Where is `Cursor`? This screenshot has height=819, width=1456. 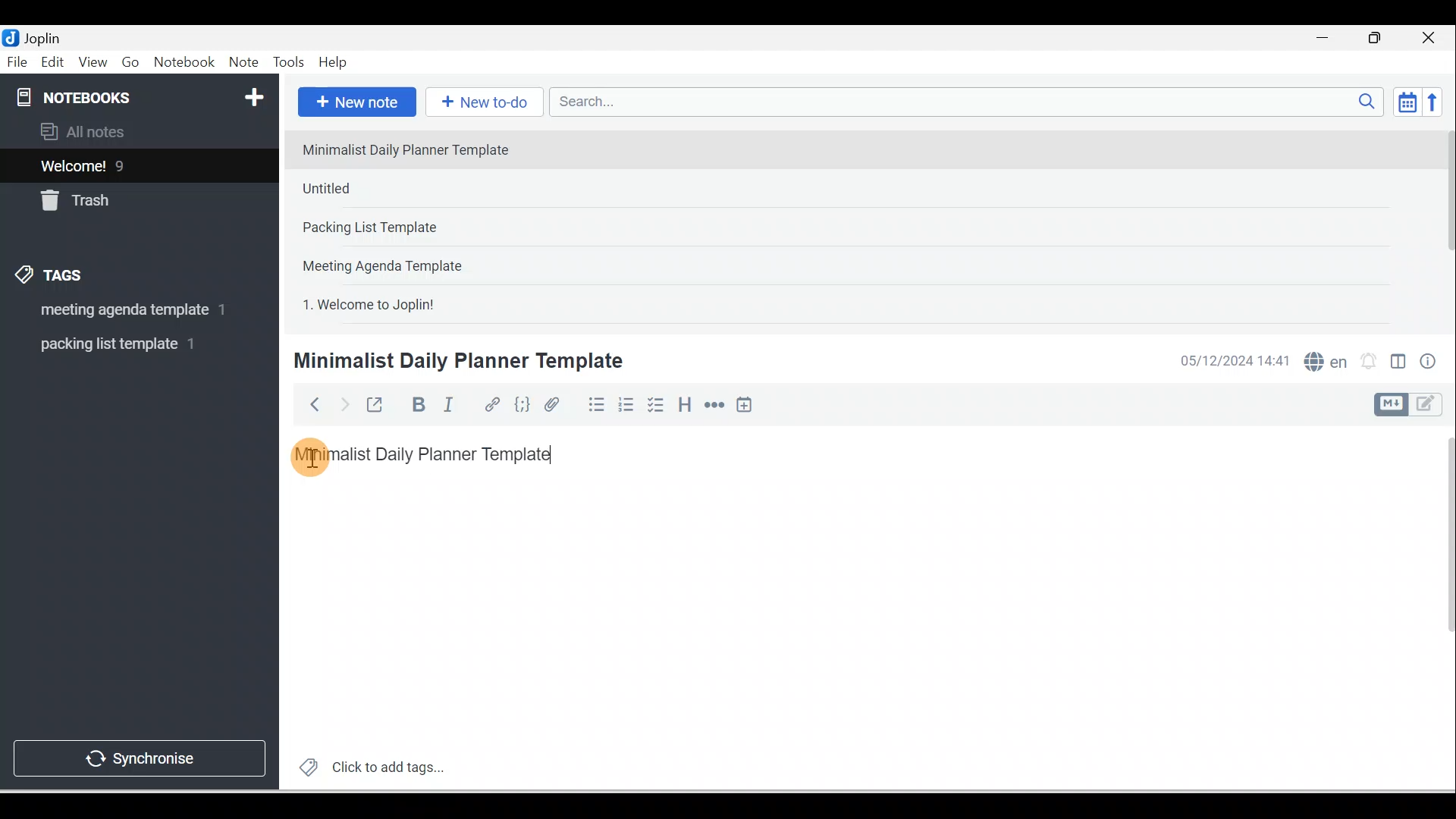
Cursor is located at coordinates (319, 457).